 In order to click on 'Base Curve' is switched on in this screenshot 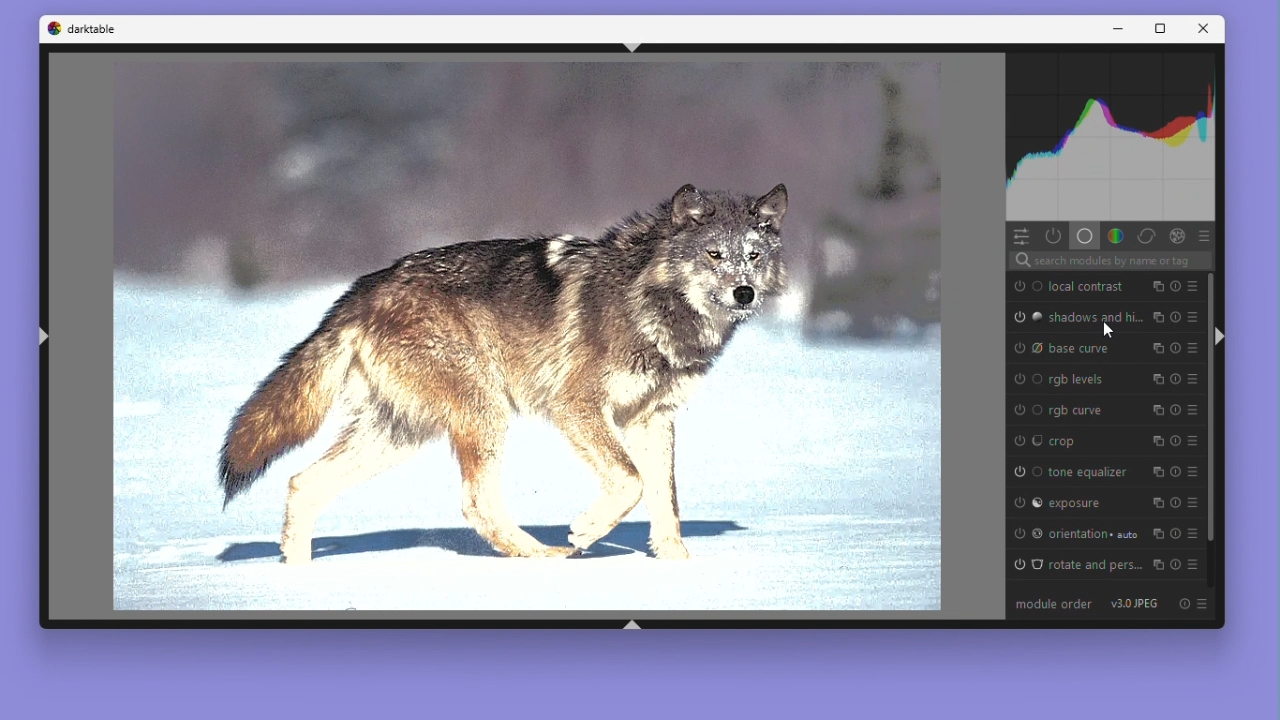, I will do `click(1027, 350)`.